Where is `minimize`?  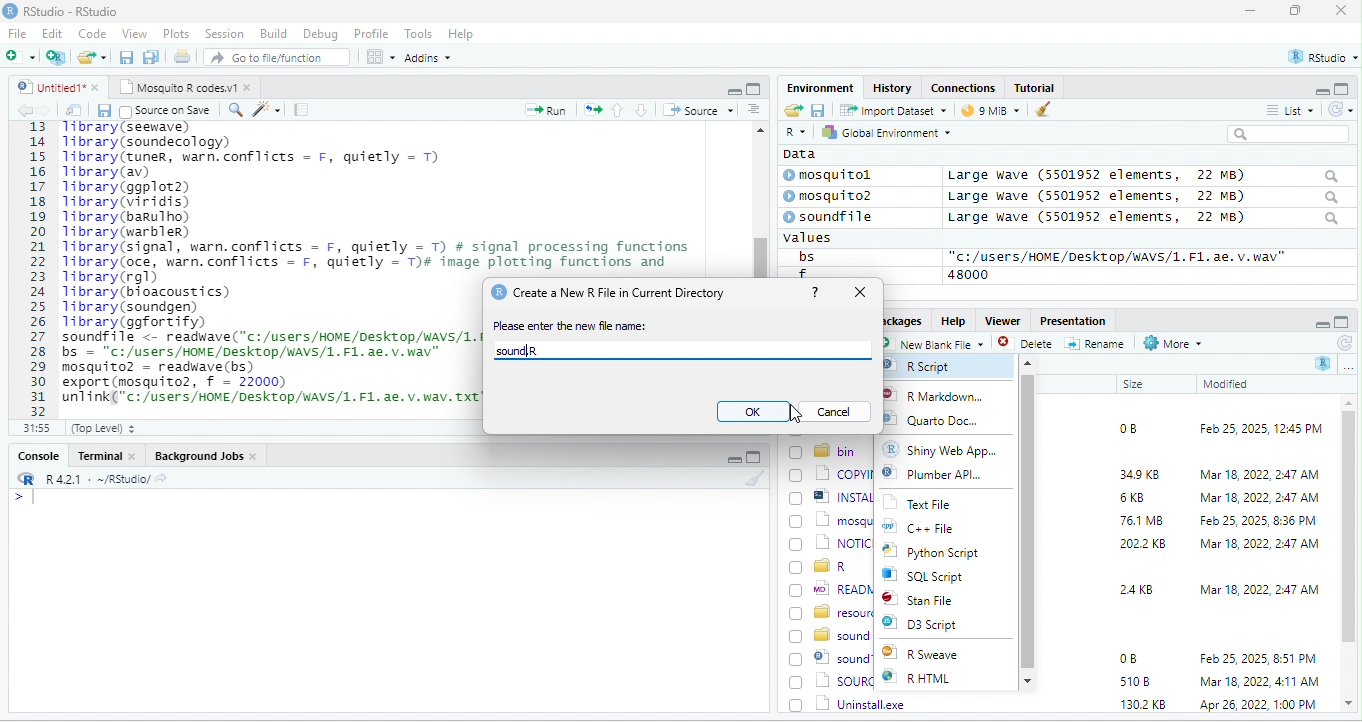 minimize is located at coordinates (731, 460).